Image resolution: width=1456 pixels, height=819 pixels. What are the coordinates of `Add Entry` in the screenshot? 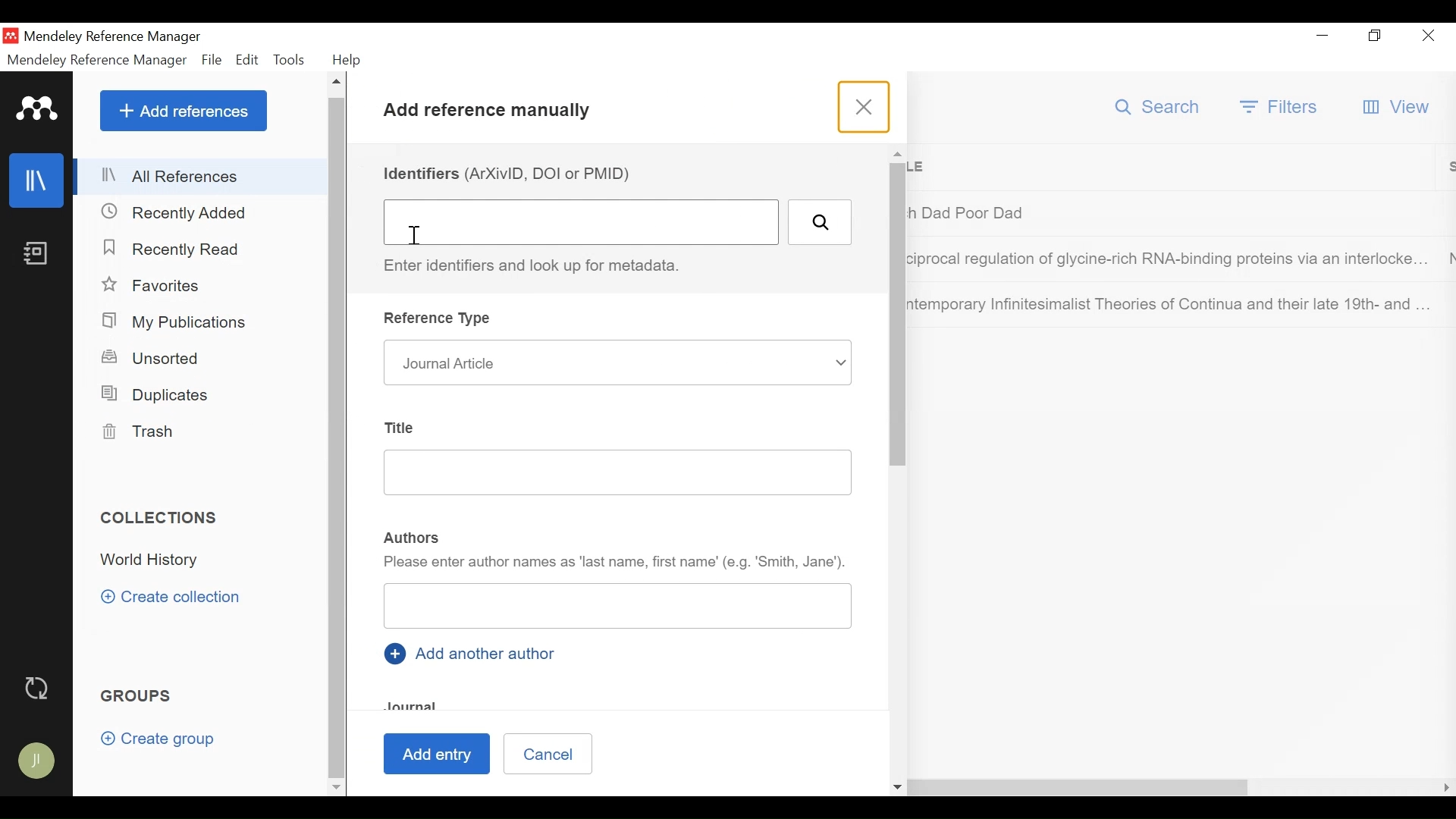 It's located at (440, 753).